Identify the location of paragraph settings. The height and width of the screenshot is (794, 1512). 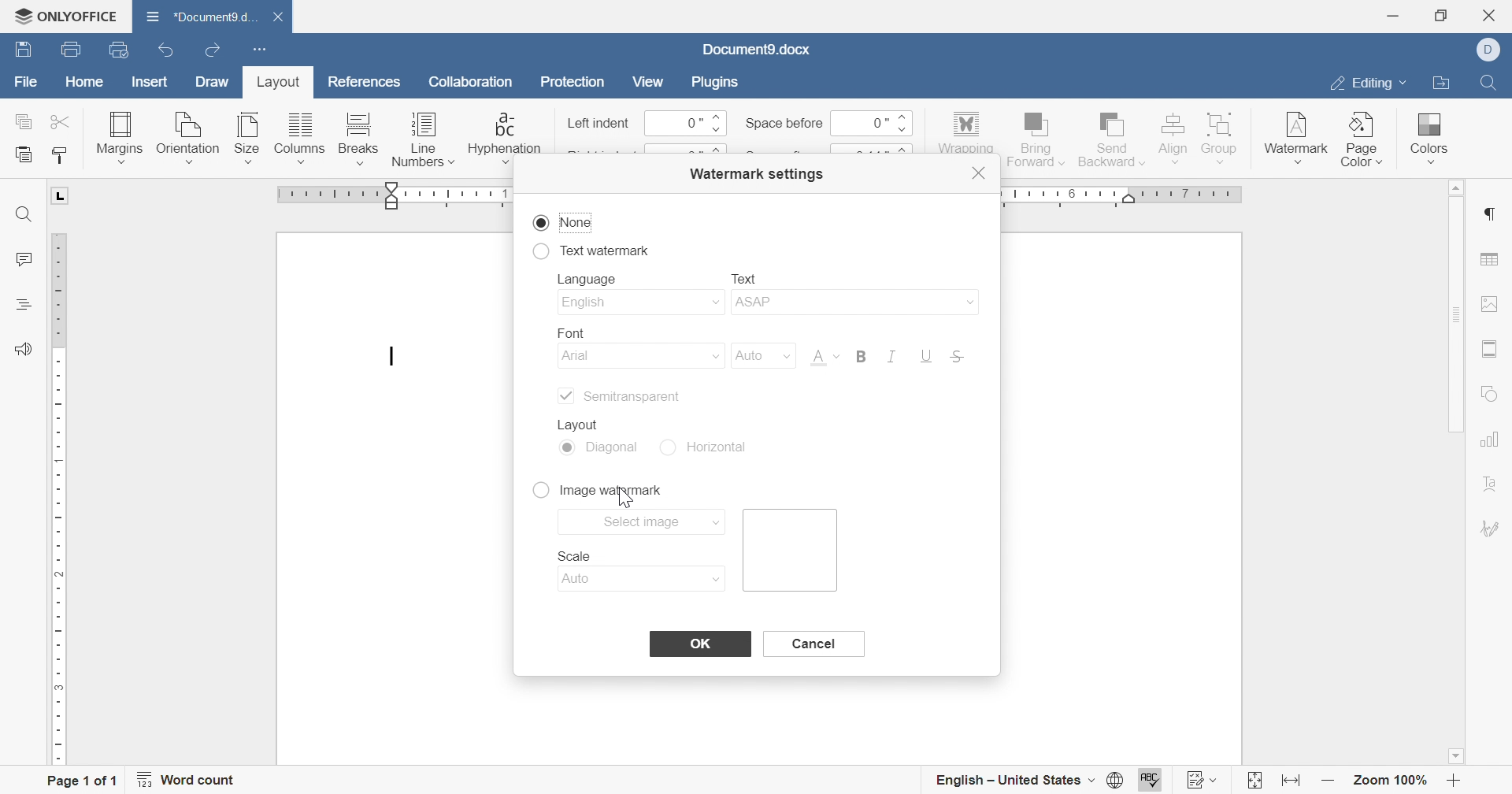
(1488, 214).